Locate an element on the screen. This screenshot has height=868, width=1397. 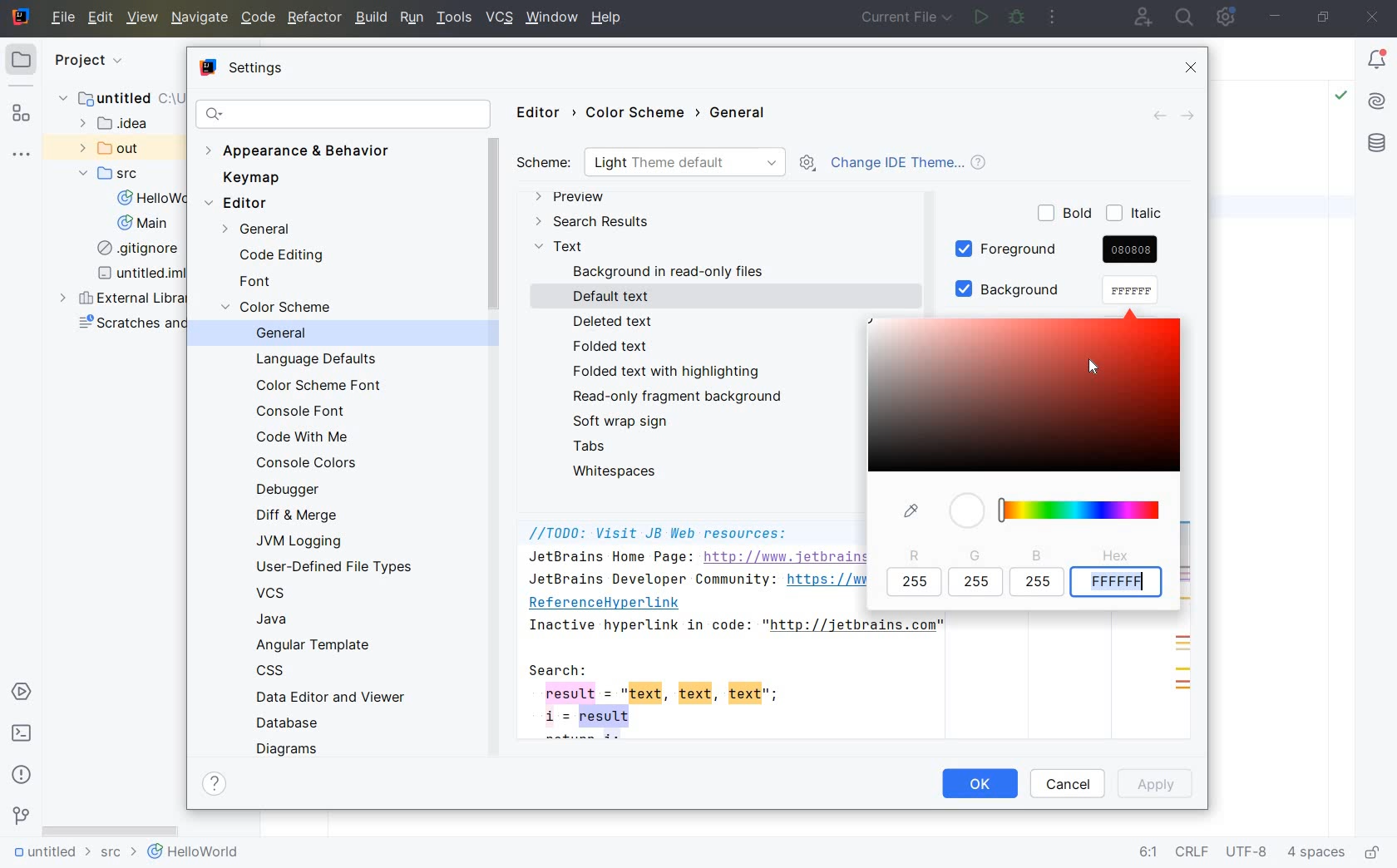
DEBUGGER is located at coordinates (294, 491).